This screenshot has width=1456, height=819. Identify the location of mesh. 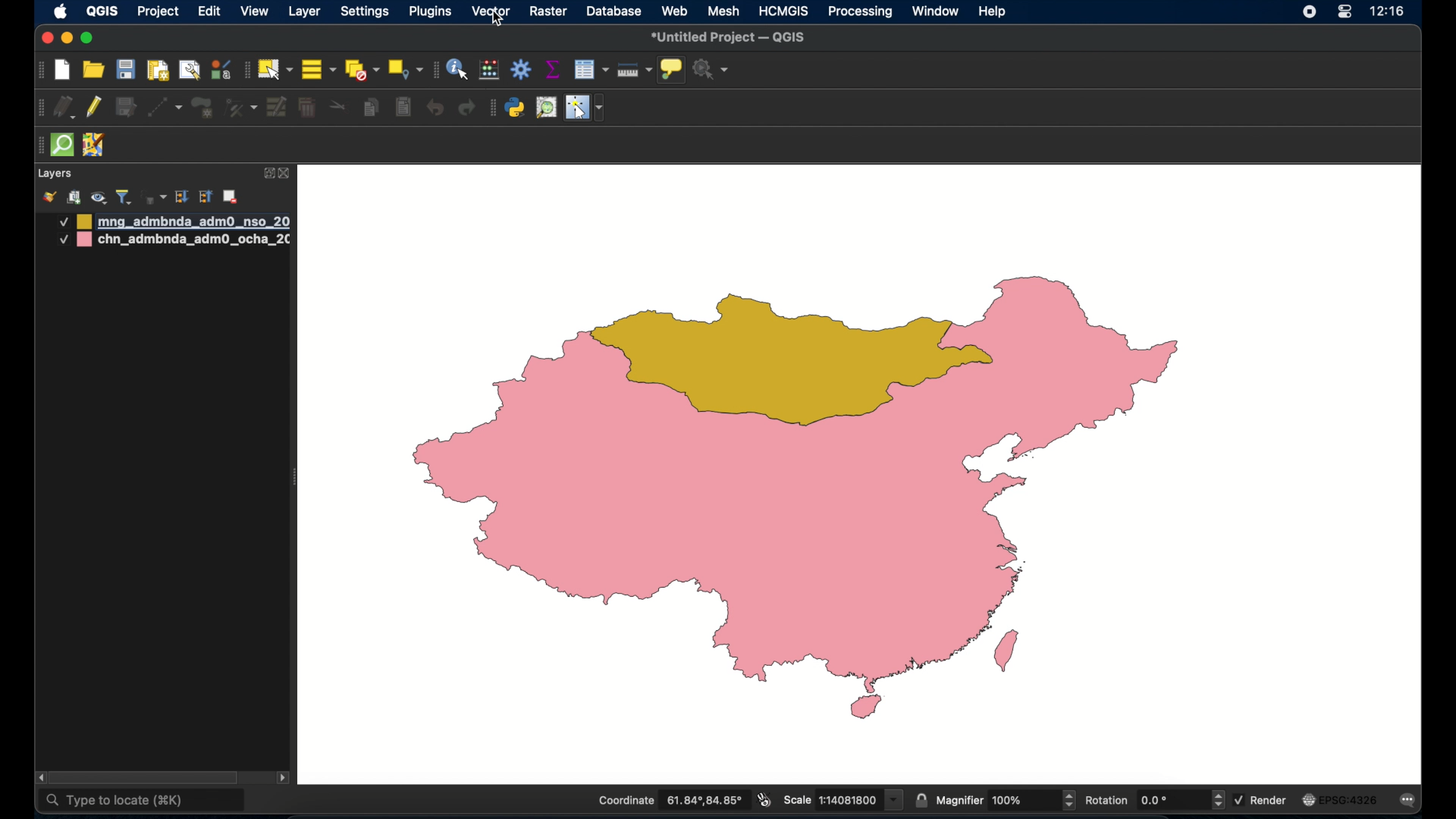
(724, 11).